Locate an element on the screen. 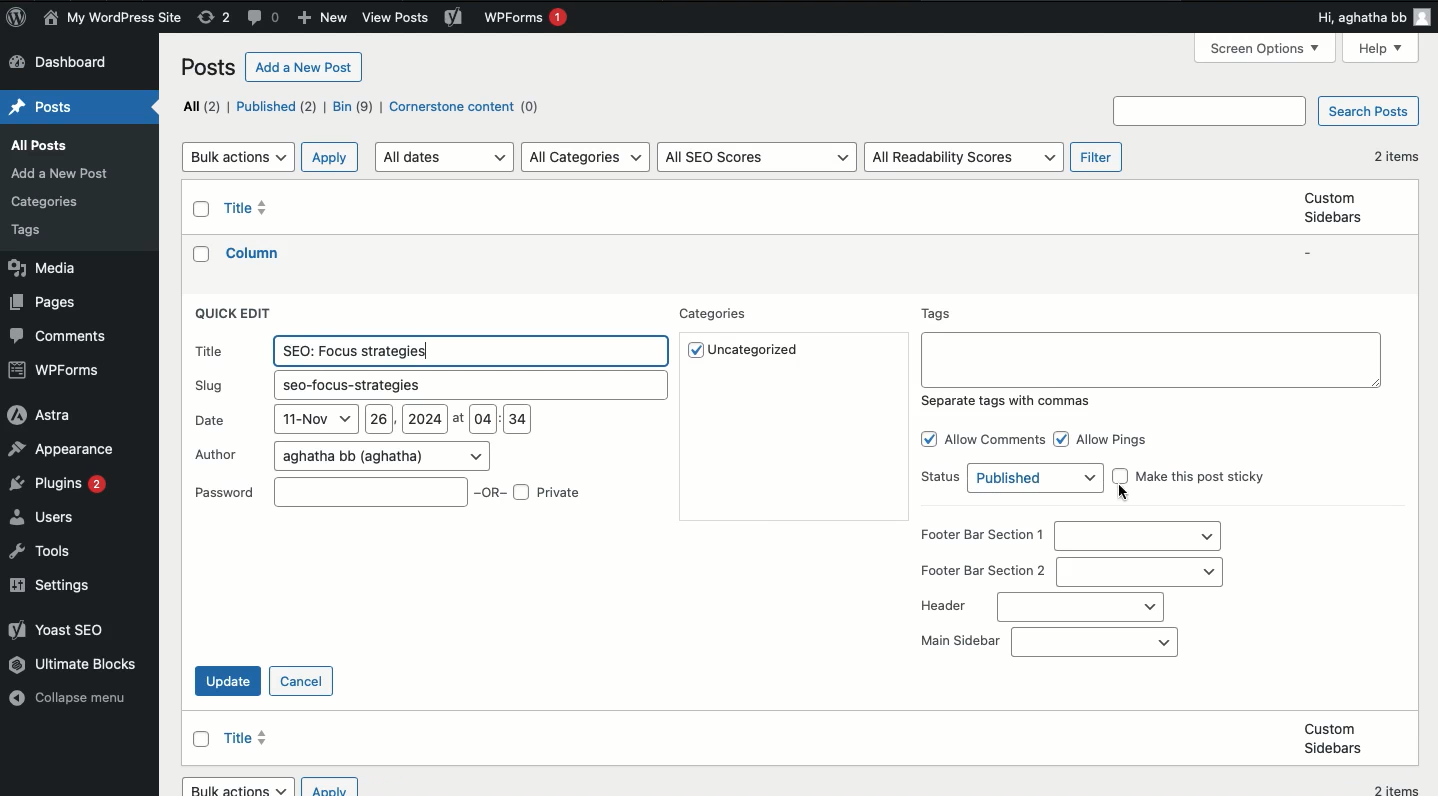  Media is located at coordinates (40, 269).